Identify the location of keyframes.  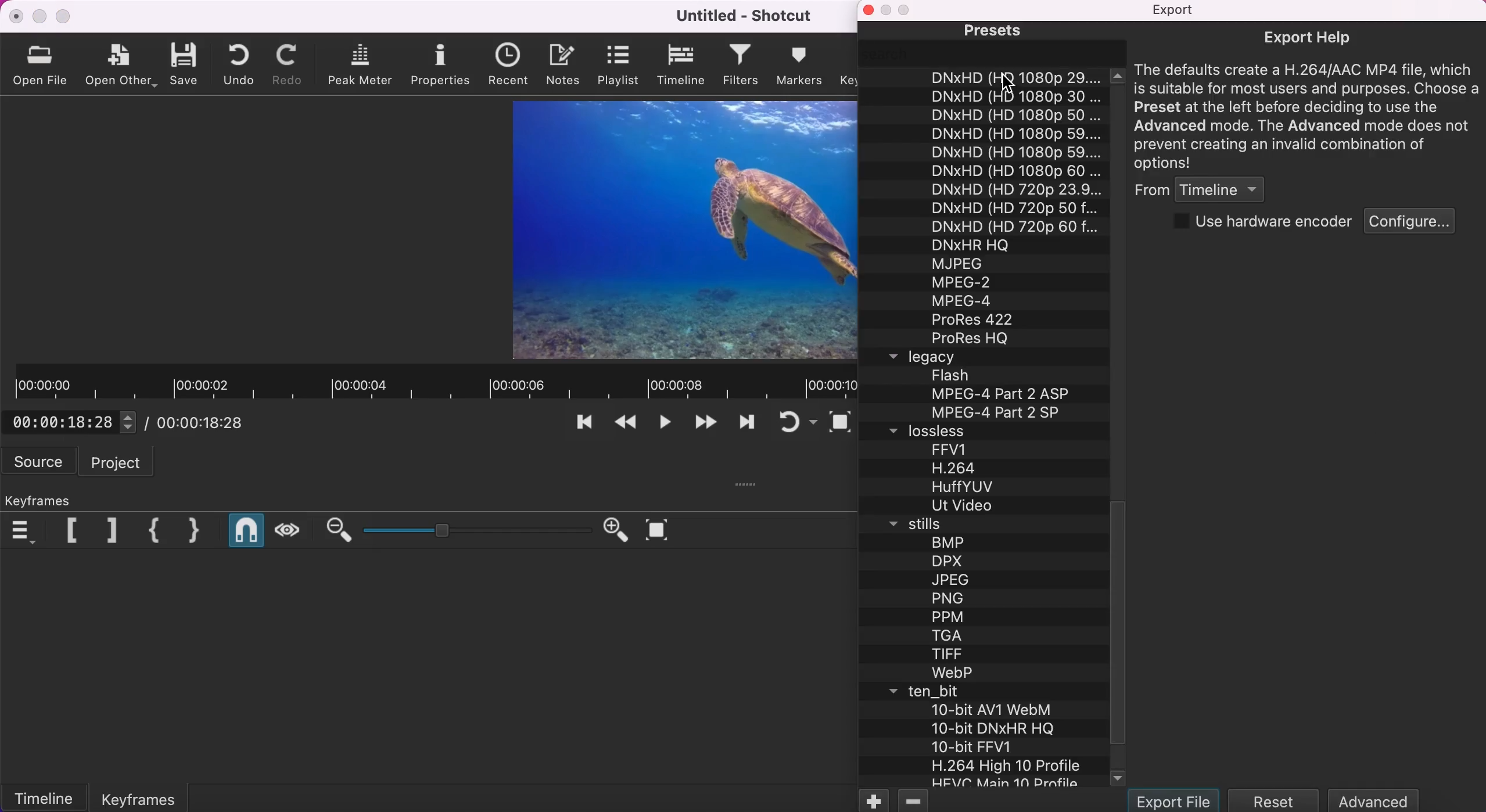
(44, 497).